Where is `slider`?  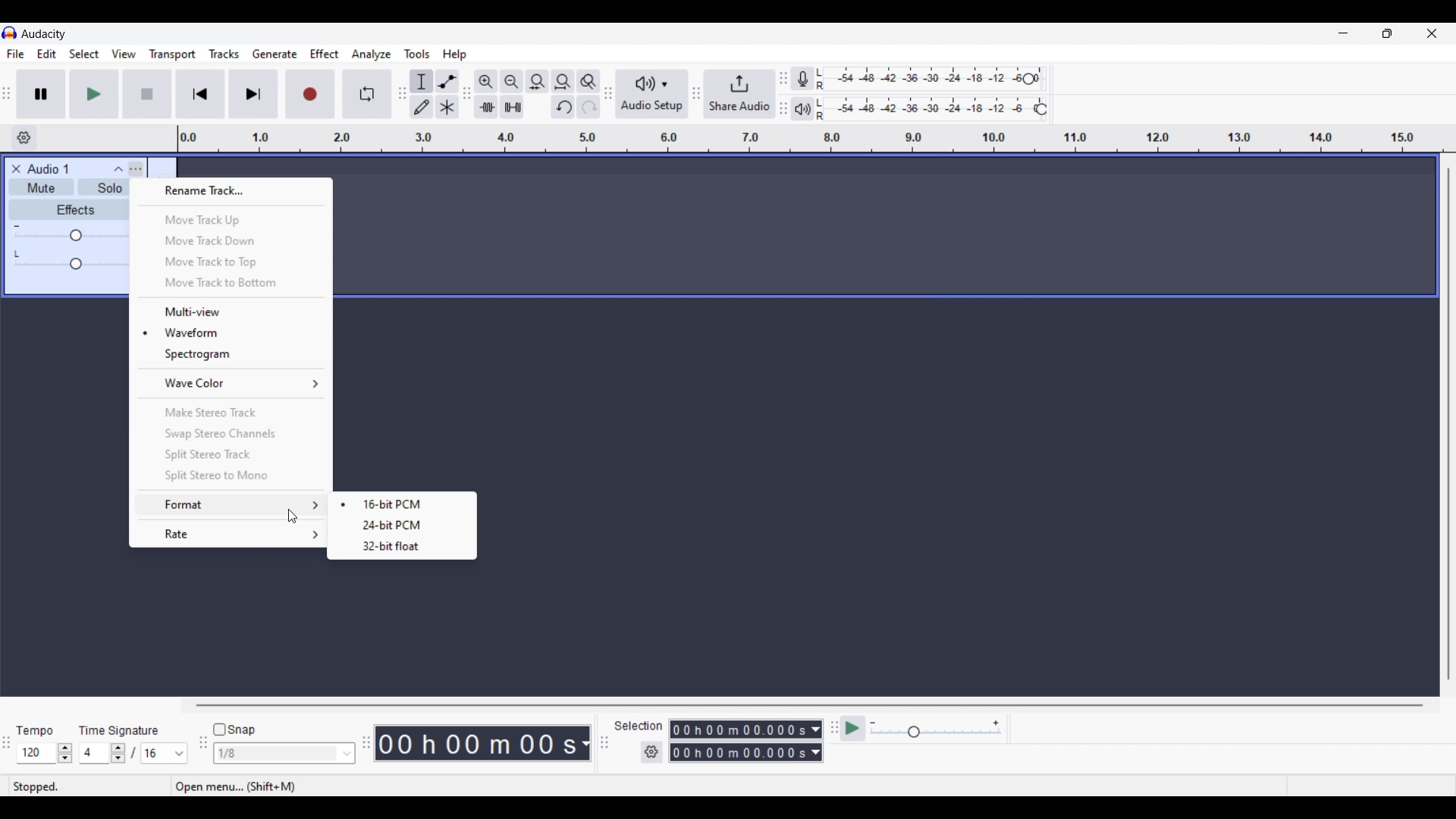 slider is located at coordinates (74, 265).